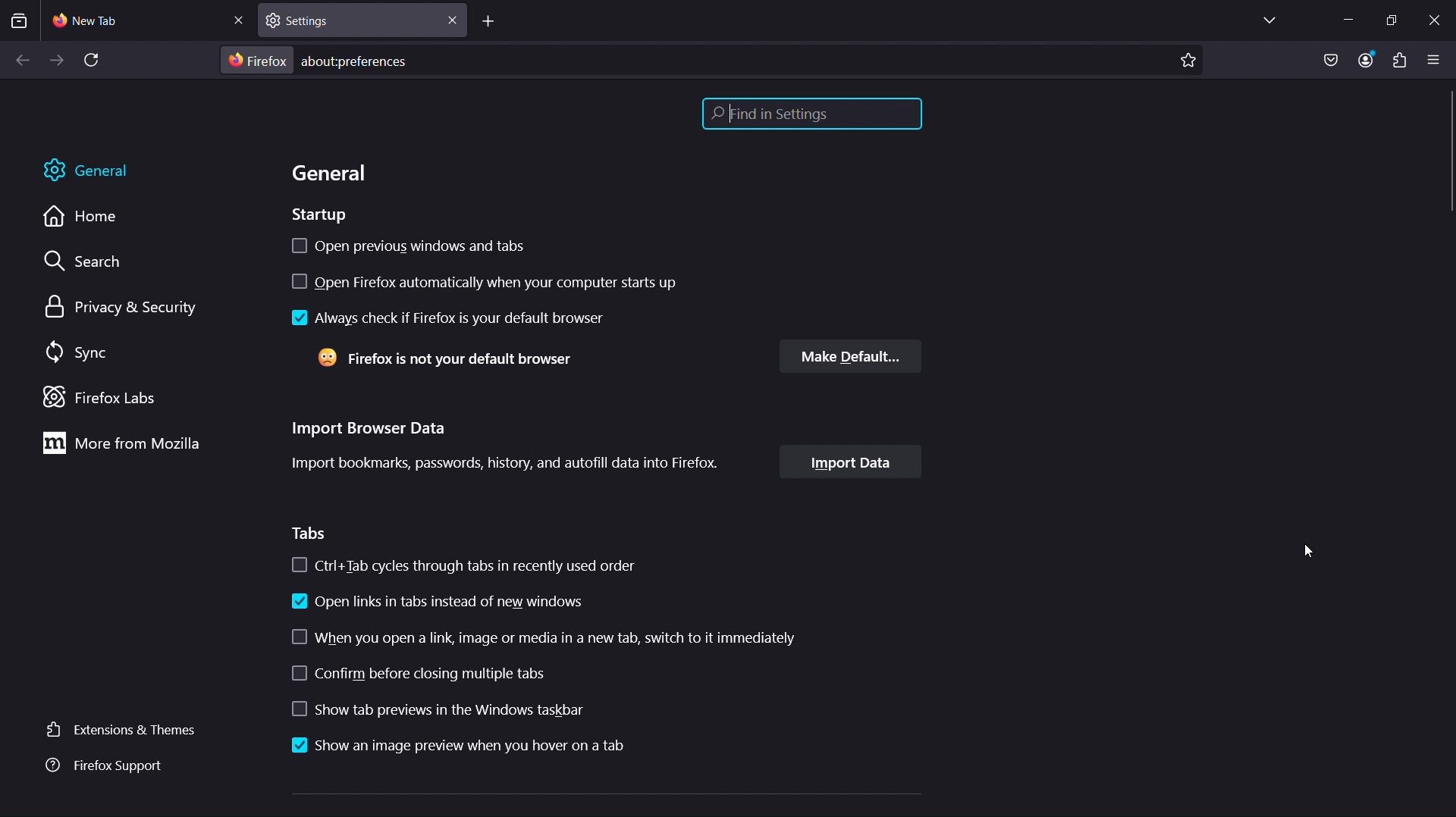  I want to click on aboutpreferences, so click(711, 61).